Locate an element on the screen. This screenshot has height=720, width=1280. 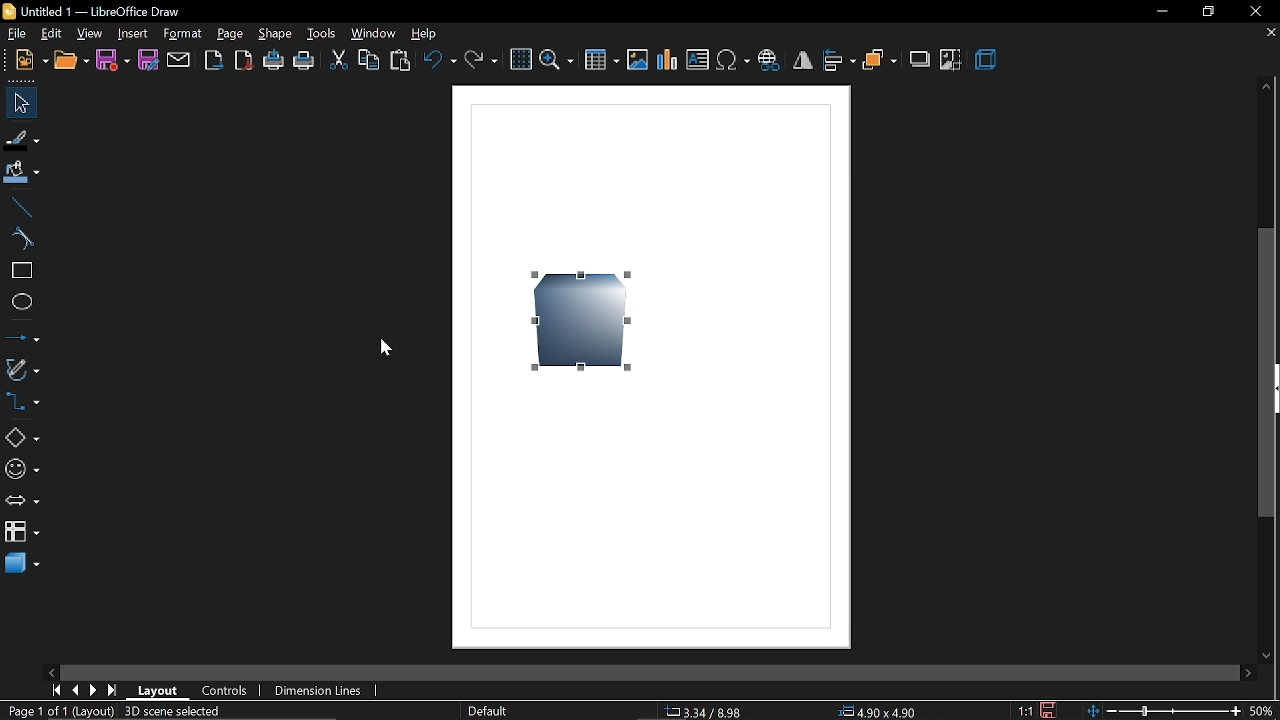
current zoom is located at coordinates (1263, 711).